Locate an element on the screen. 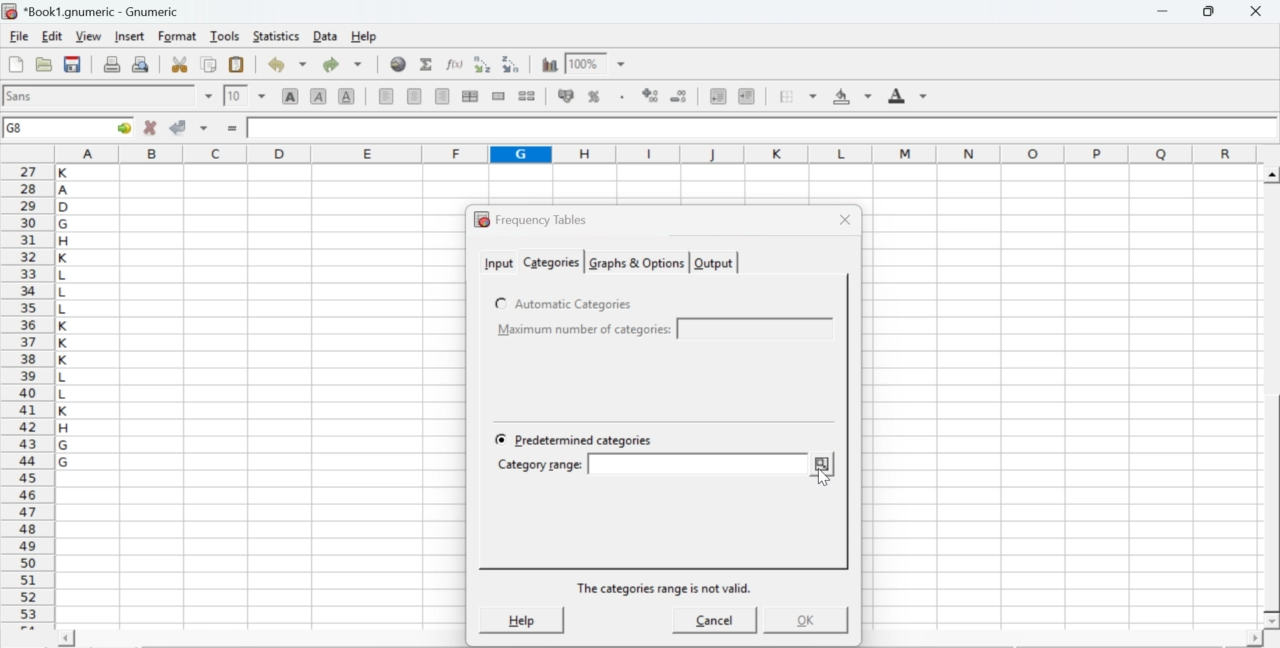 Image resolution: width=1280 pixels, height=648 pixels. column names is located at coordinates (653, 152).